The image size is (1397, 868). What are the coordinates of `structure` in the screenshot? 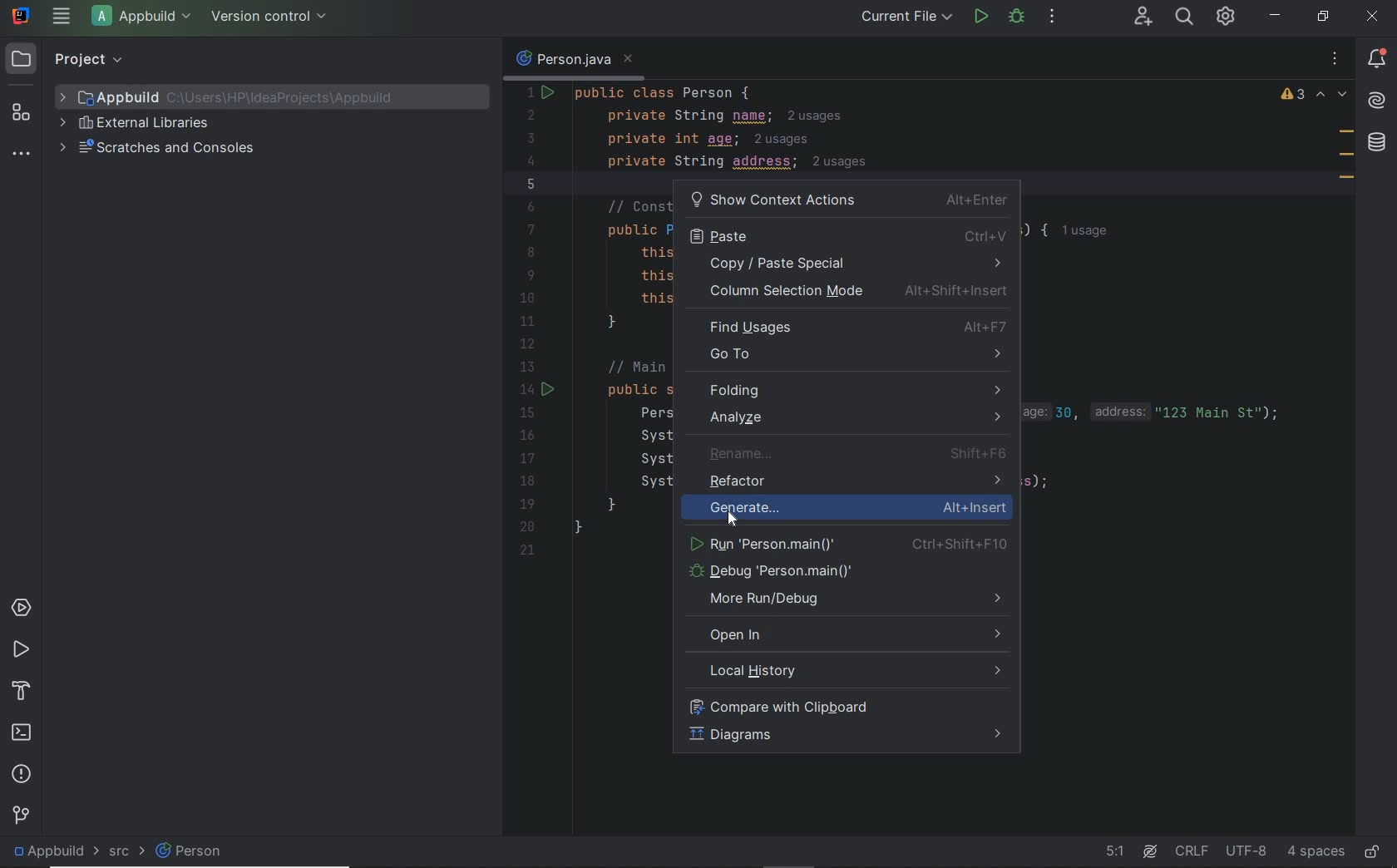 It's located at (21, 113).